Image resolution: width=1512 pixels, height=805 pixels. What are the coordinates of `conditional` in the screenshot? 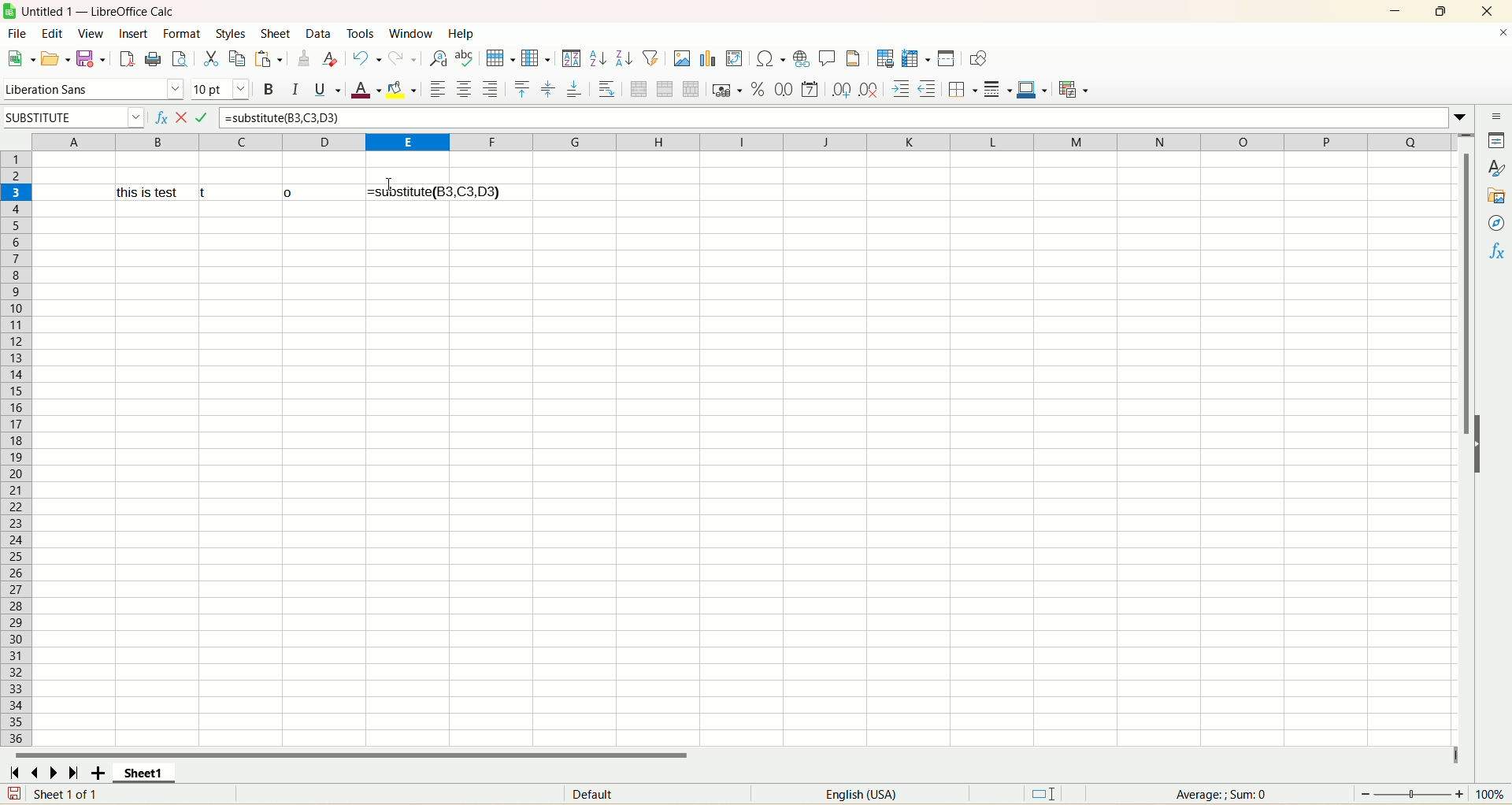 It's located at (1075, 90).